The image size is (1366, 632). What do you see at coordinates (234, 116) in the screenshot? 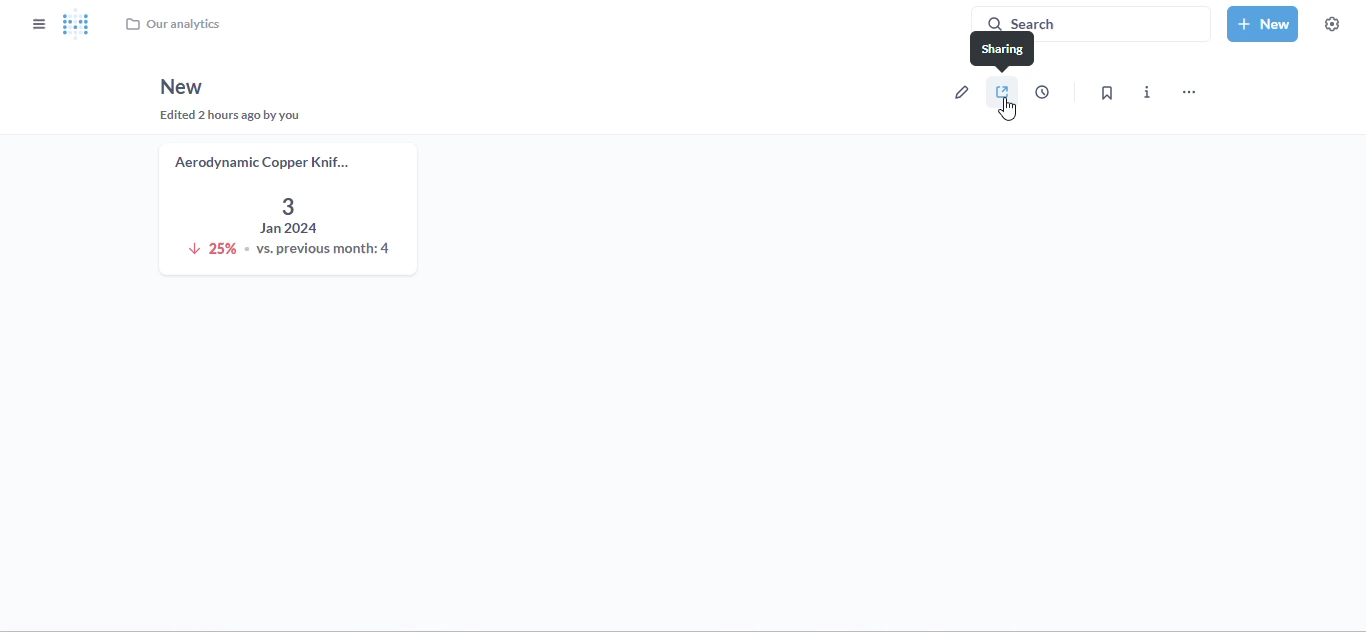
I see `edited 2 hours ago by you` at bounding box center [234, 116].